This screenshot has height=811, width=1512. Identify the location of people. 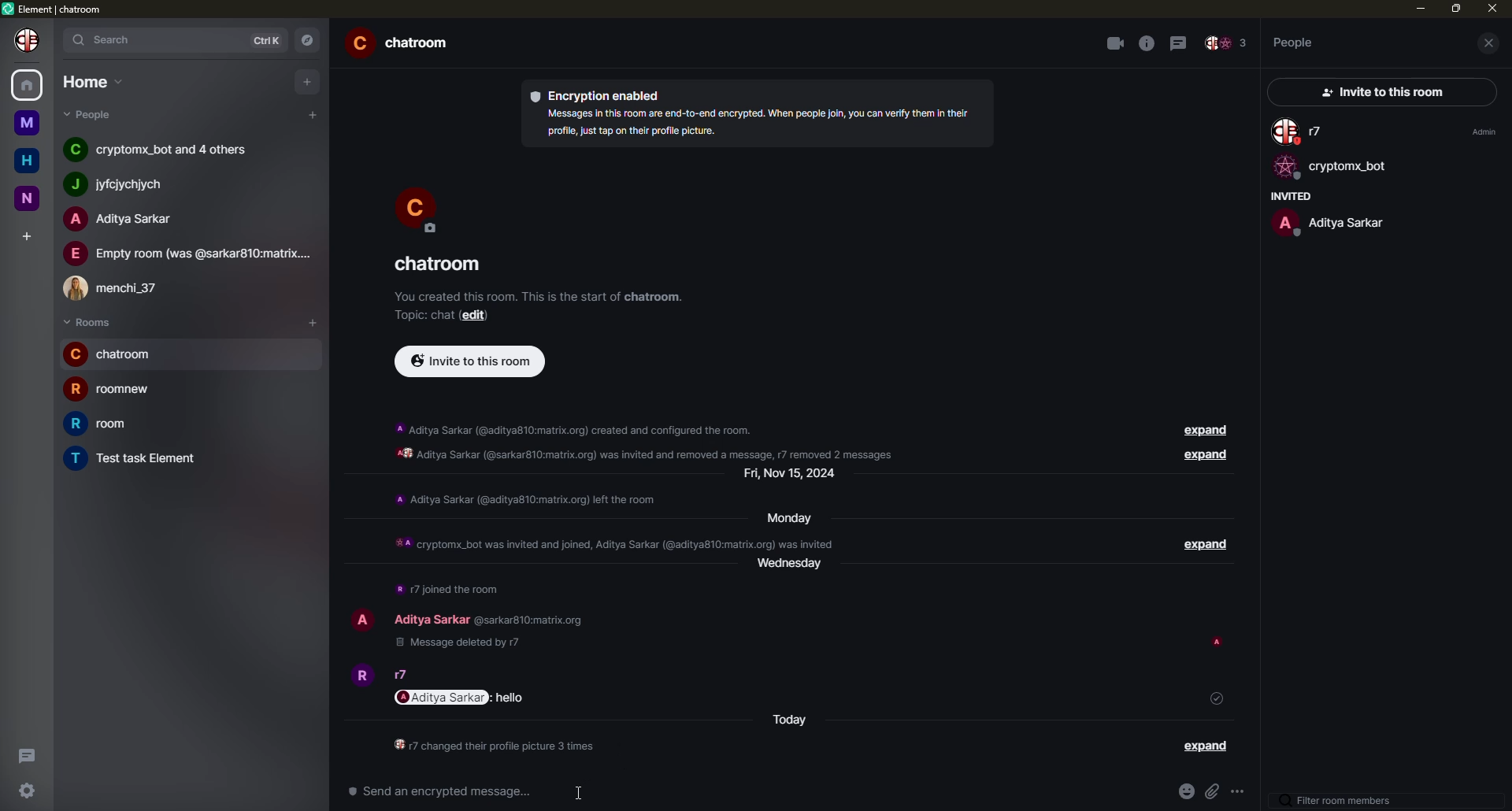
(97, 114).